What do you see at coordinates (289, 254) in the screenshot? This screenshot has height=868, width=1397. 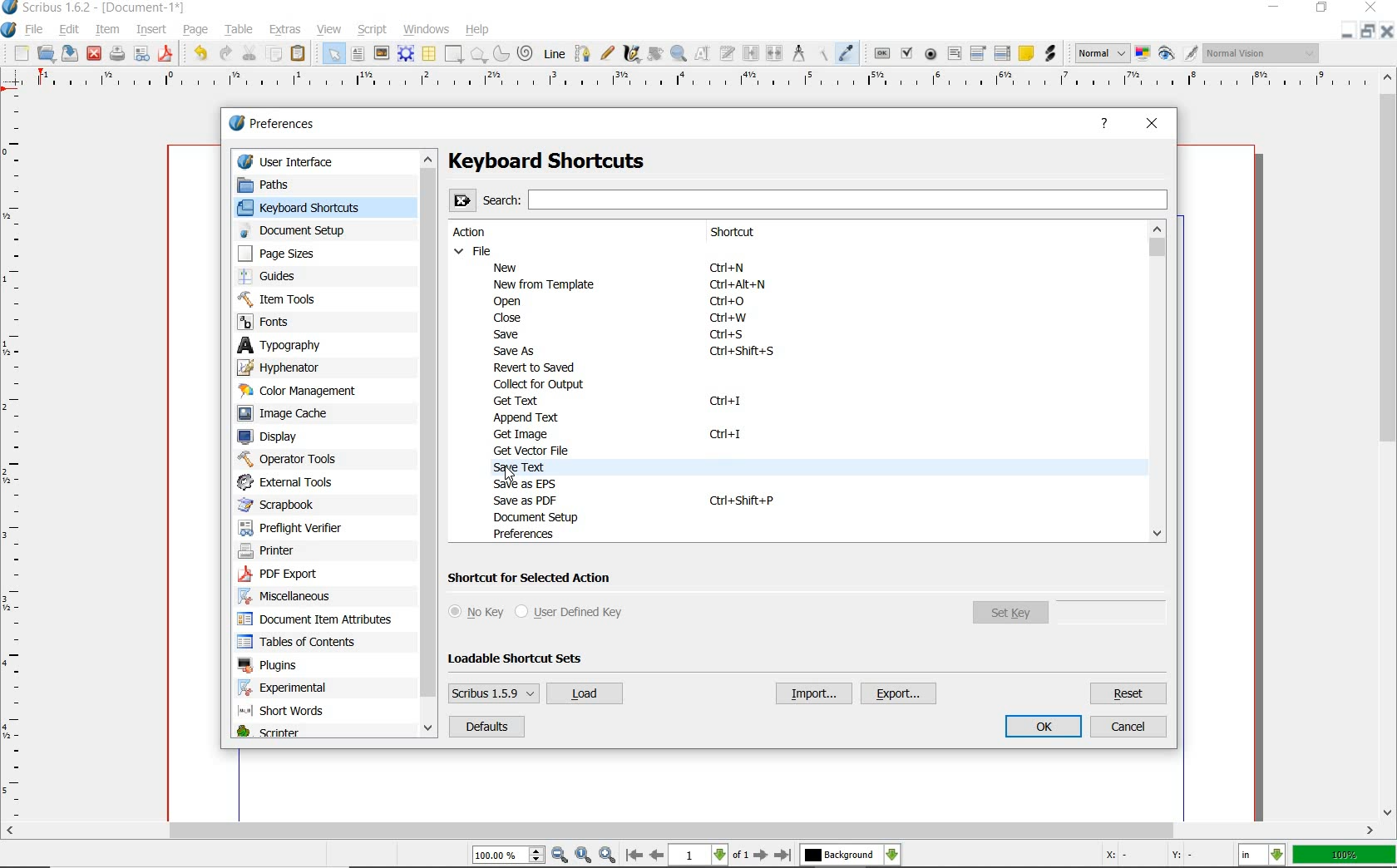 I see `page sizes` at bounding box center [289, 254].